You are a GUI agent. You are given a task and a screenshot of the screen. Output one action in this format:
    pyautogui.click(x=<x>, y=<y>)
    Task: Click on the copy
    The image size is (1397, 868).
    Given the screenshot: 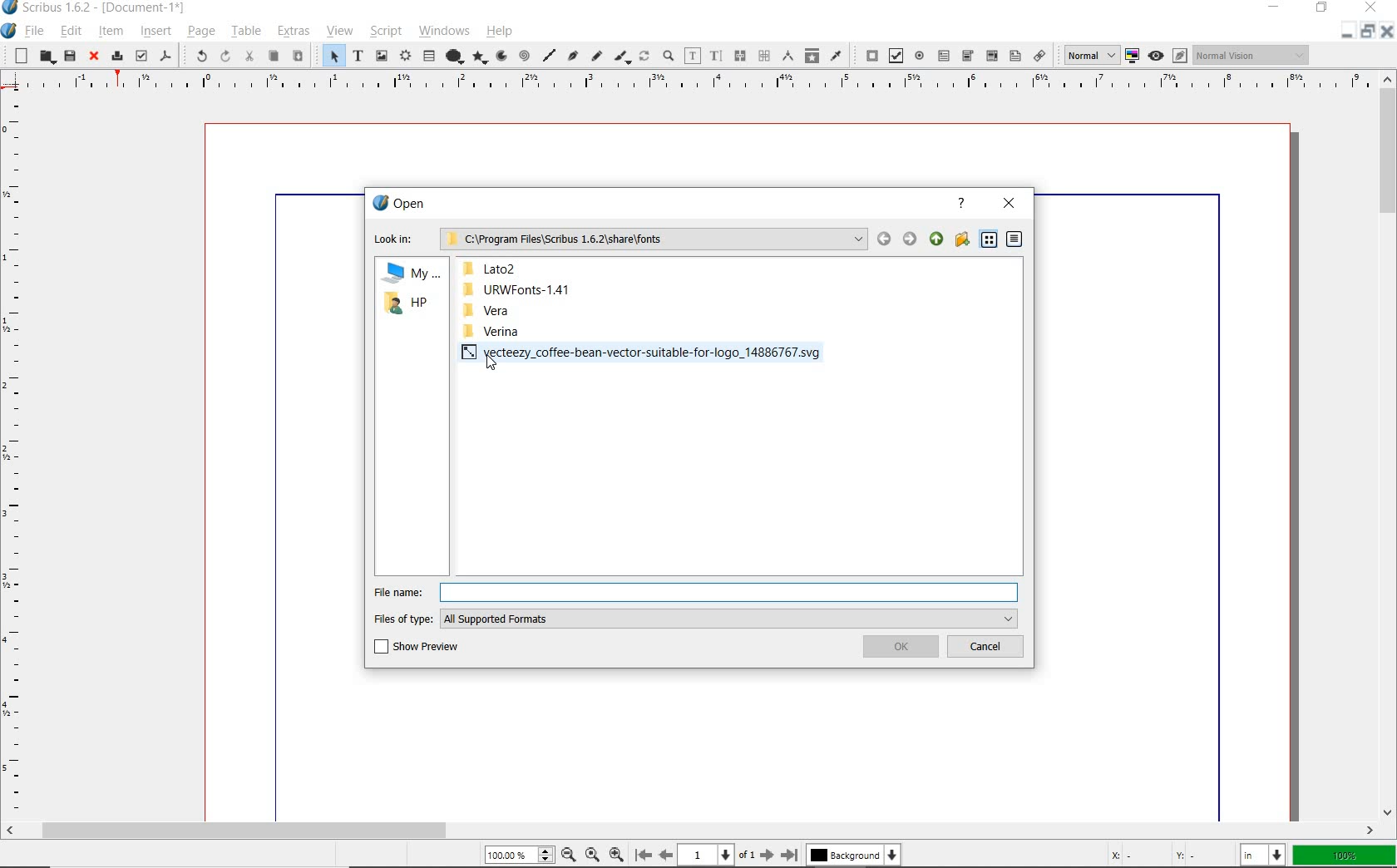 What is the action you would take?
    pyautogui.click(x=274, y=56)
    